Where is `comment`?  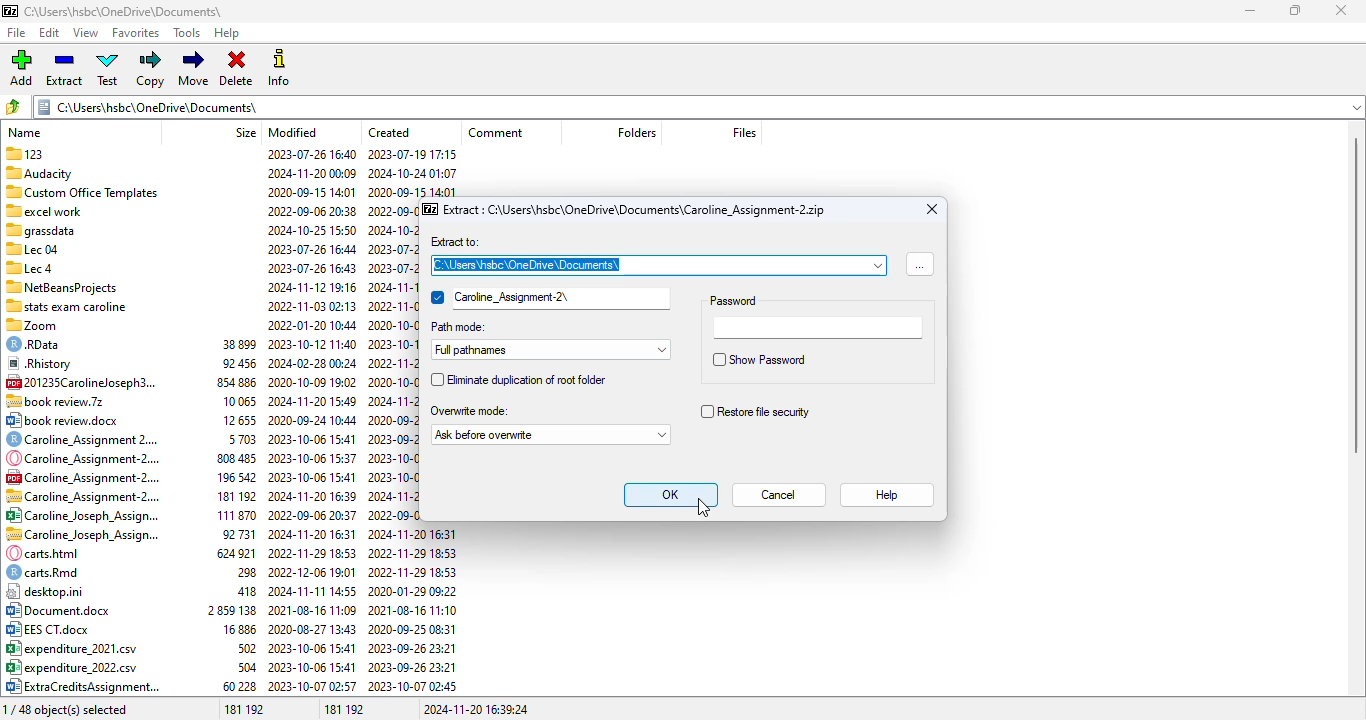 comment is located at coordinates (495, 132).